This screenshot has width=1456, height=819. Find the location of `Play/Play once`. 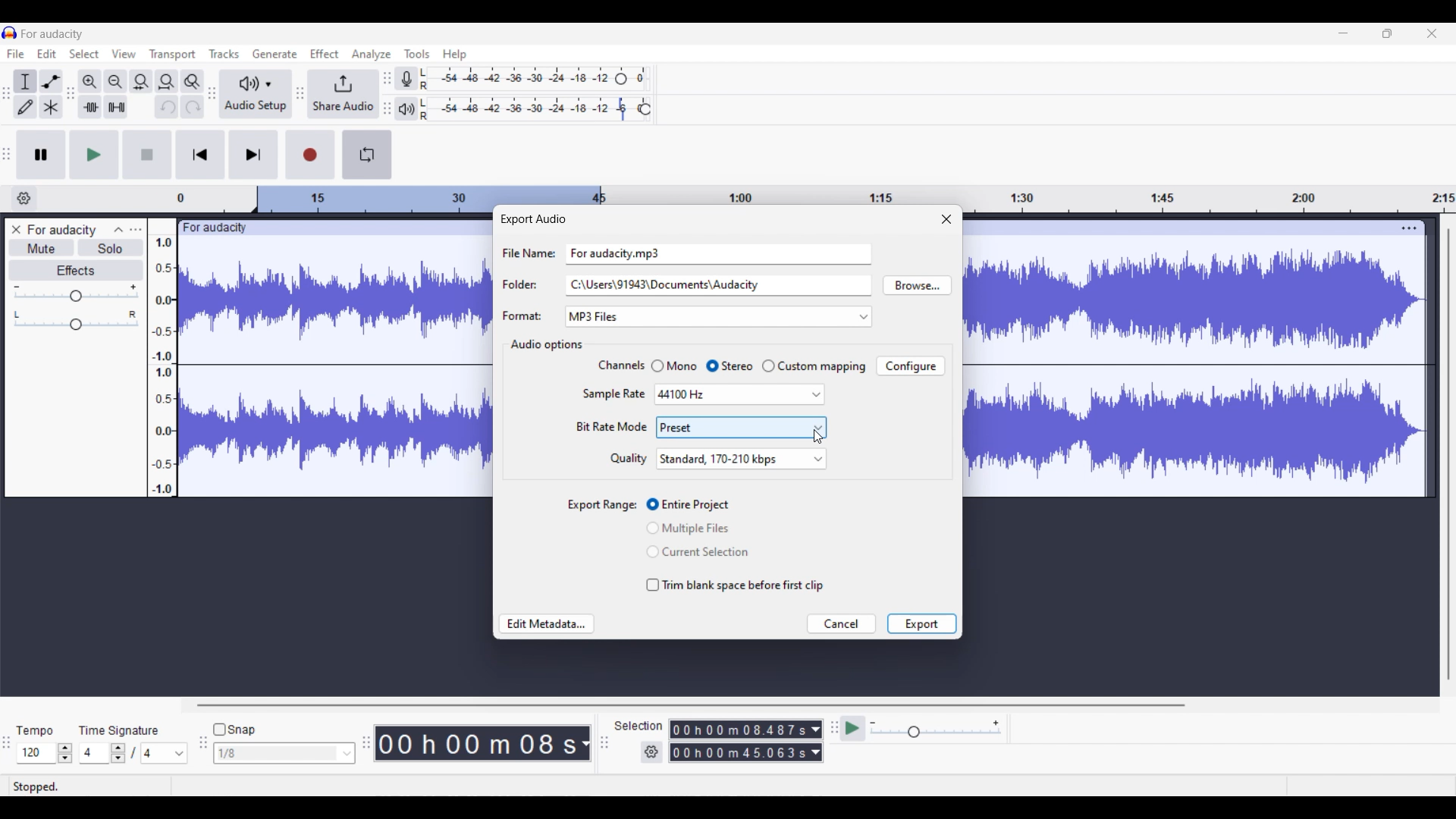

Play/Play once is located at coordinates (95, 155).